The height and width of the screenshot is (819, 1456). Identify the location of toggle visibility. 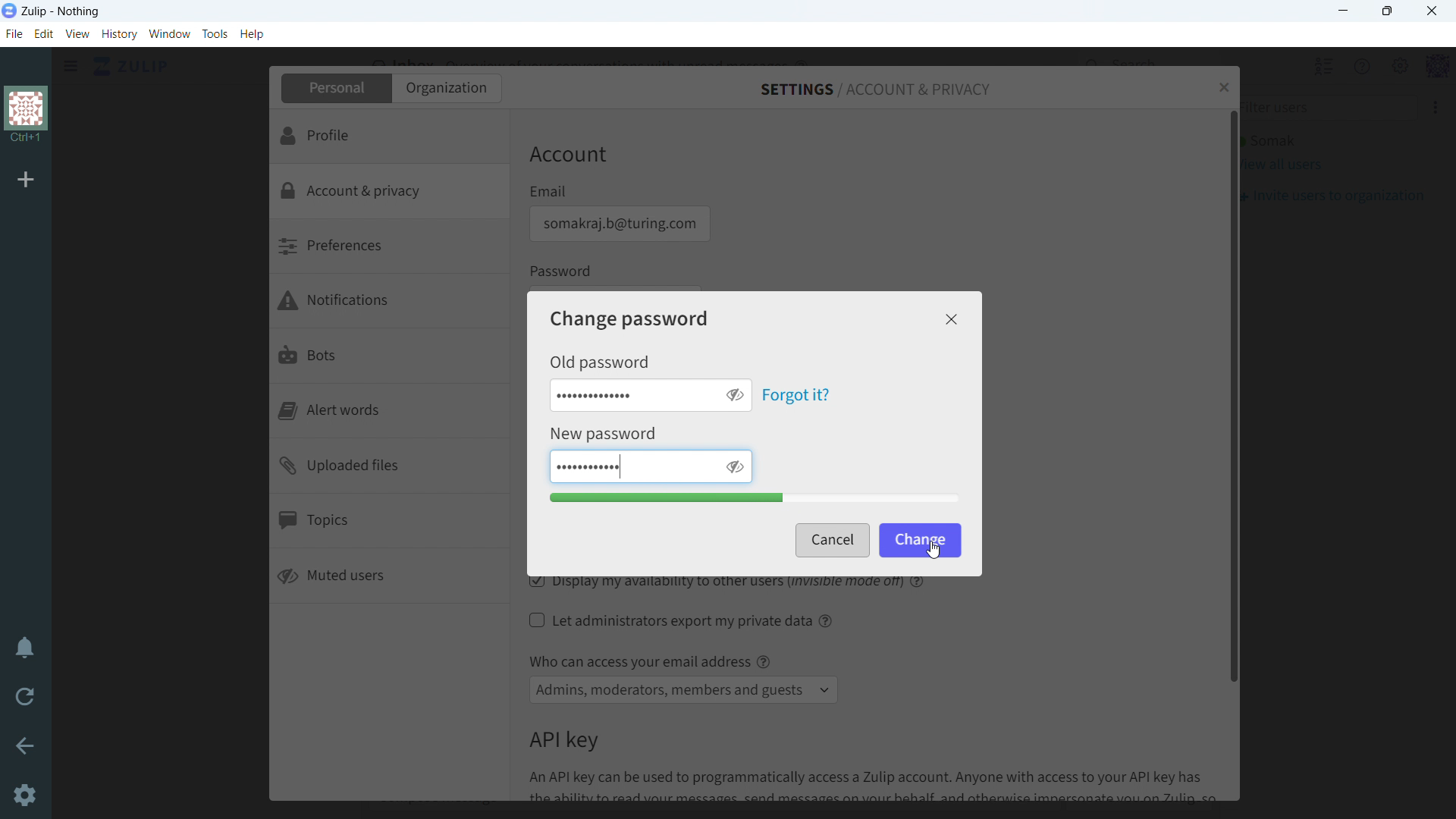
(733, 395).